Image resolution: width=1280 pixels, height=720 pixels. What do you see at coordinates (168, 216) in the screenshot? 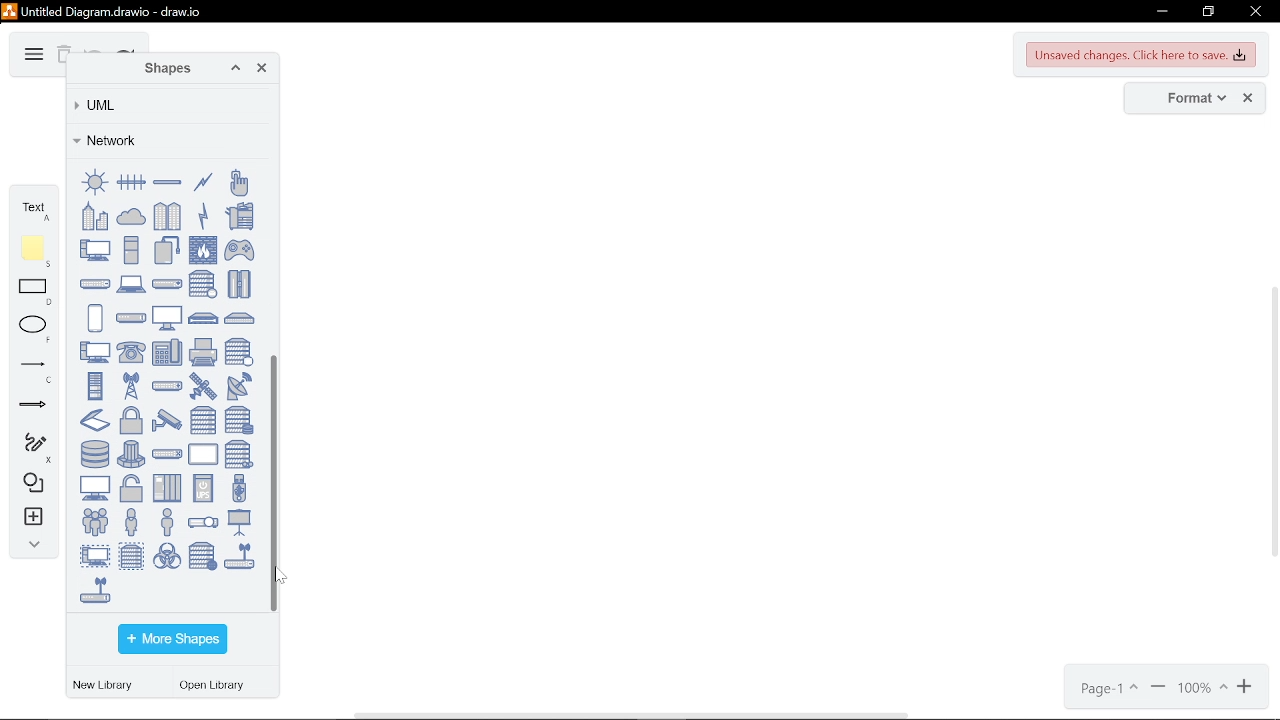
I see `community` at bounding box center [168, 216].